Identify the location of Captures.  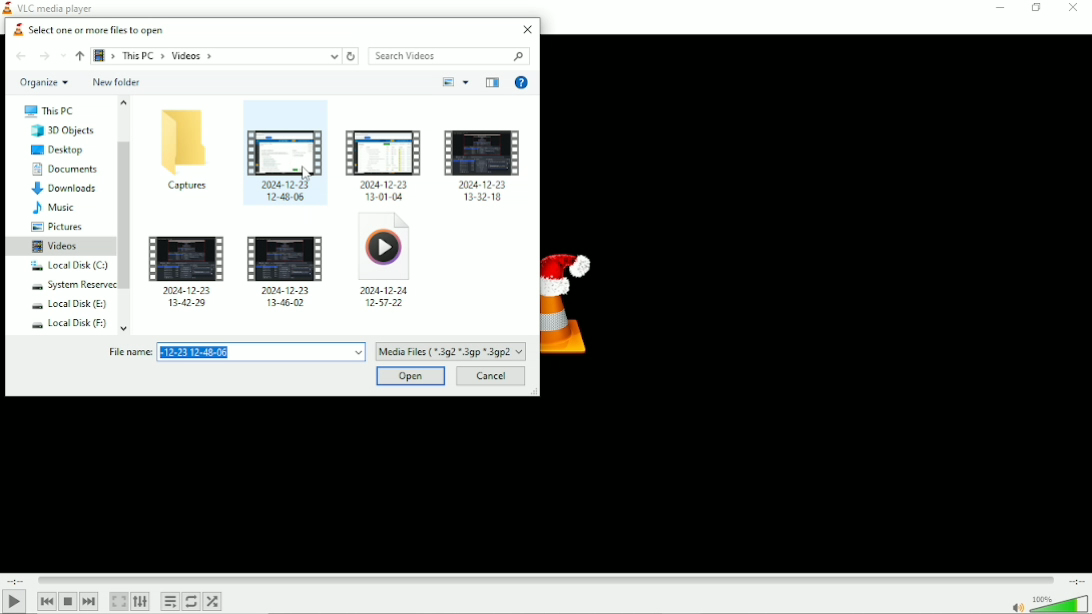
(185, 151).